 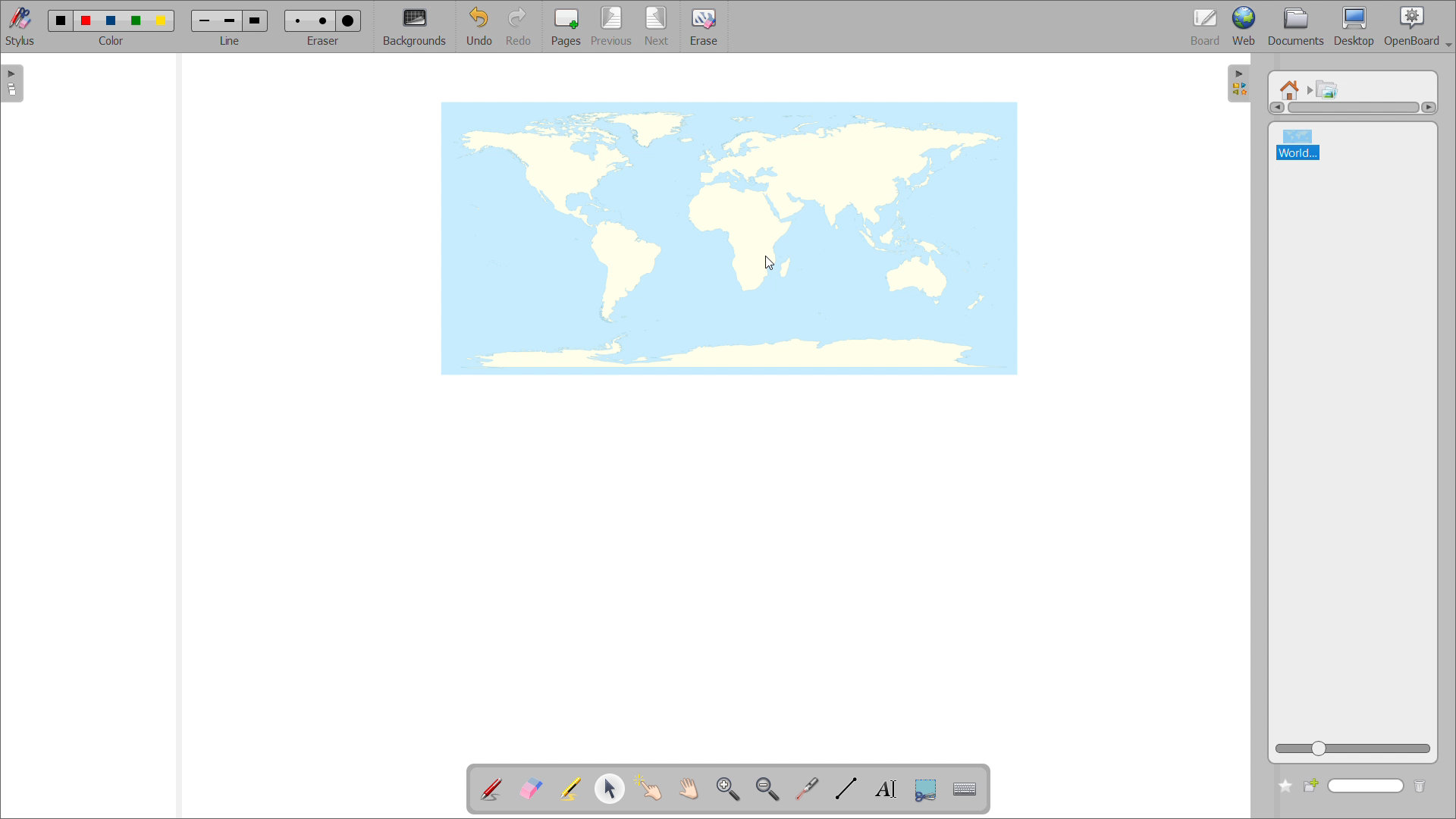 I want to click on board, so click(x=1206, y=27).